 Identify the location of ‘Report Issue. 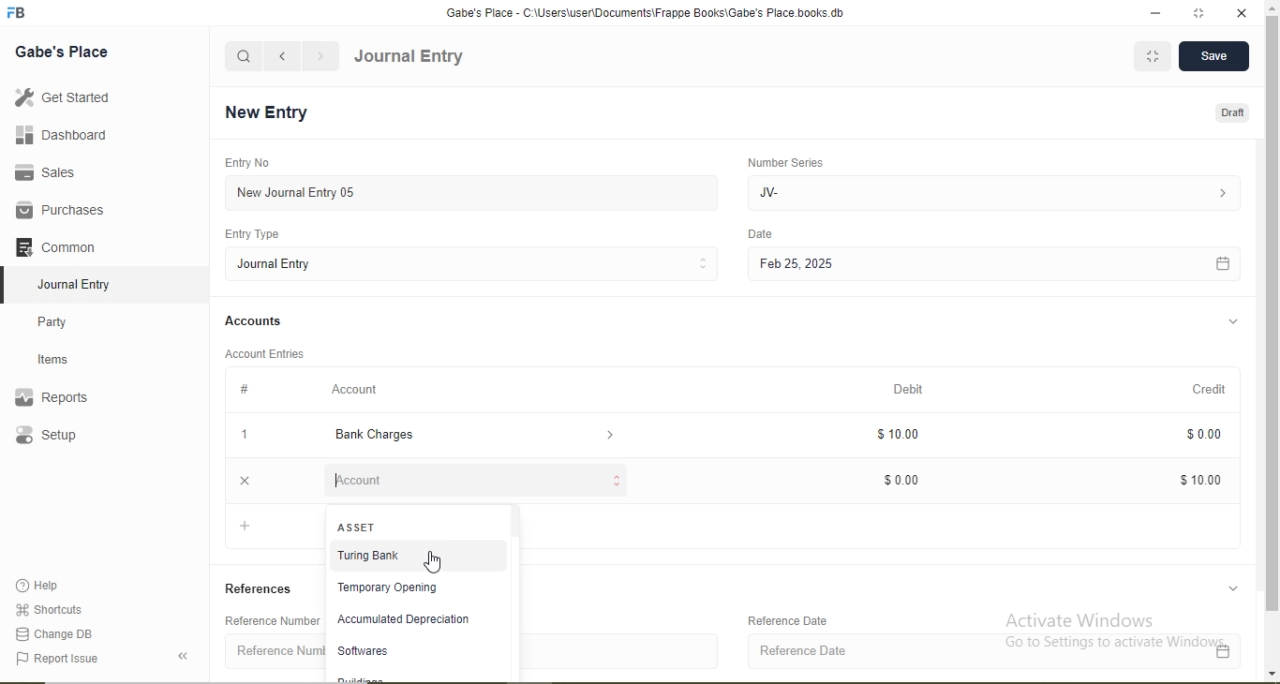
(78, 659).